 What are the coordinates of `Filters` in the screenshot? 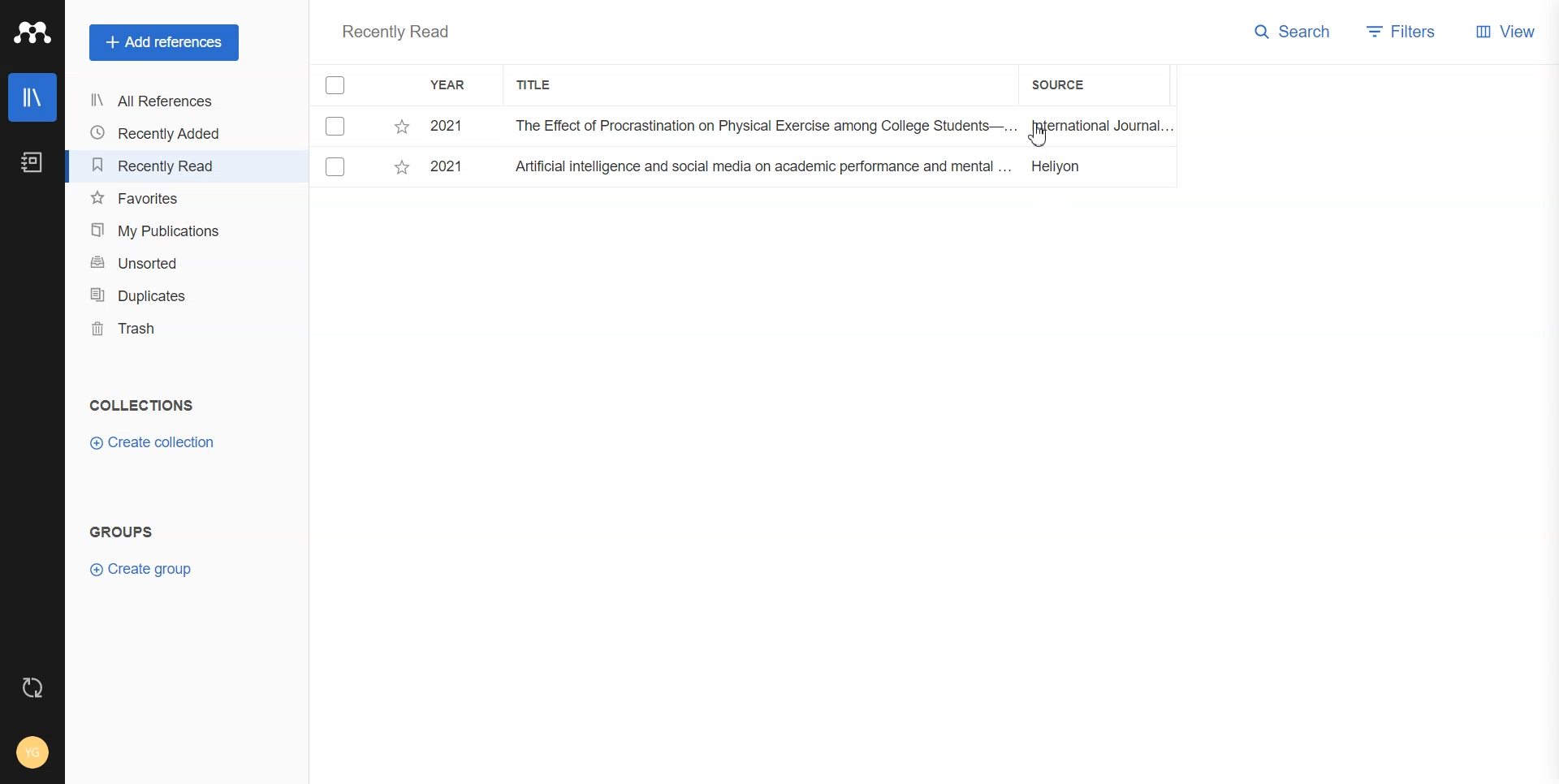 It's located at (1402, 30).